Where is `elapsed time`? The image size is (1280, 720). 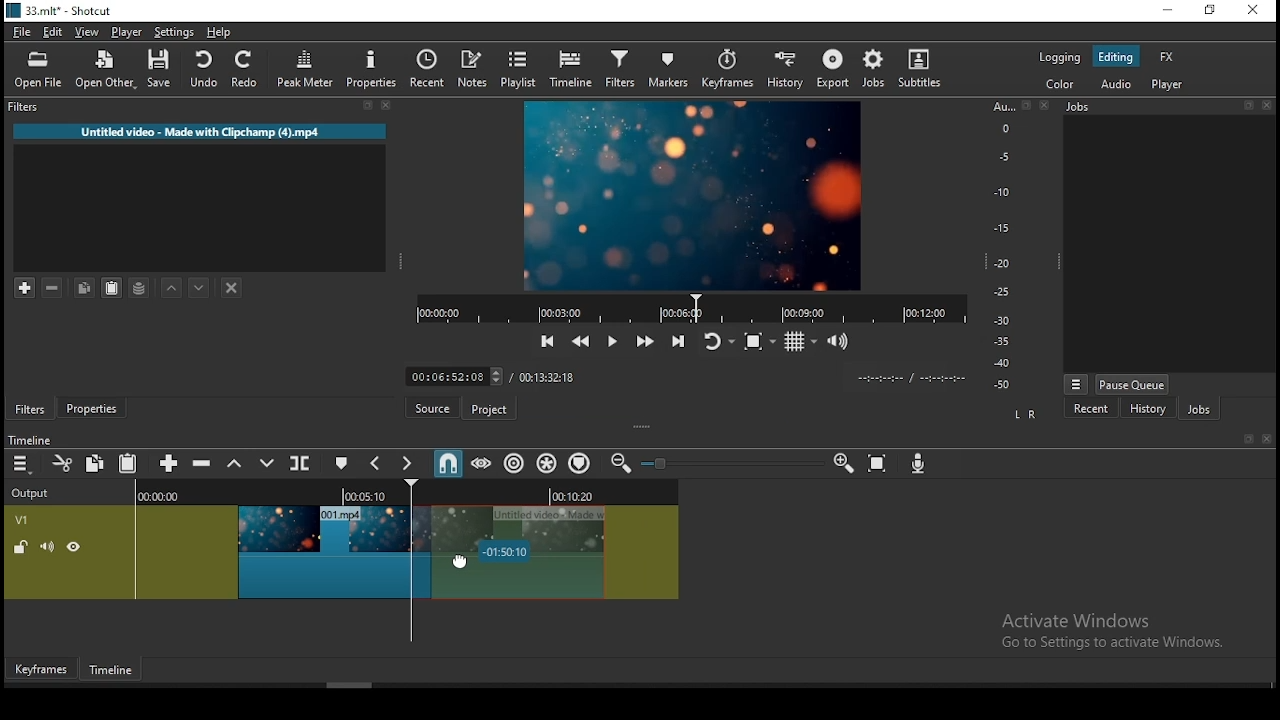
elapsed time is located at coordinates (455, 374).